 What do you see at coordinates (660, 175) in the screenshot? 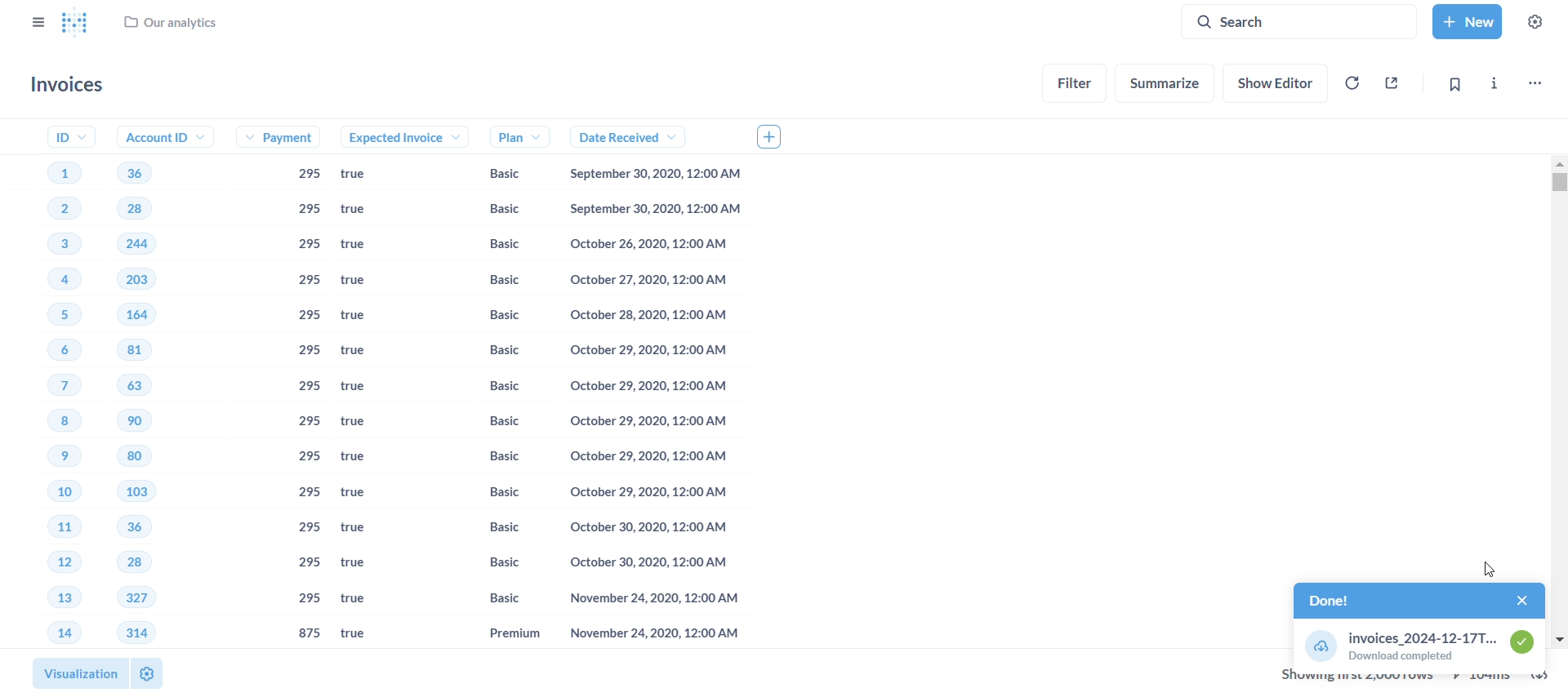
I see `September 30, 2020, 12:00 AM` at bounding box center [660, 175].